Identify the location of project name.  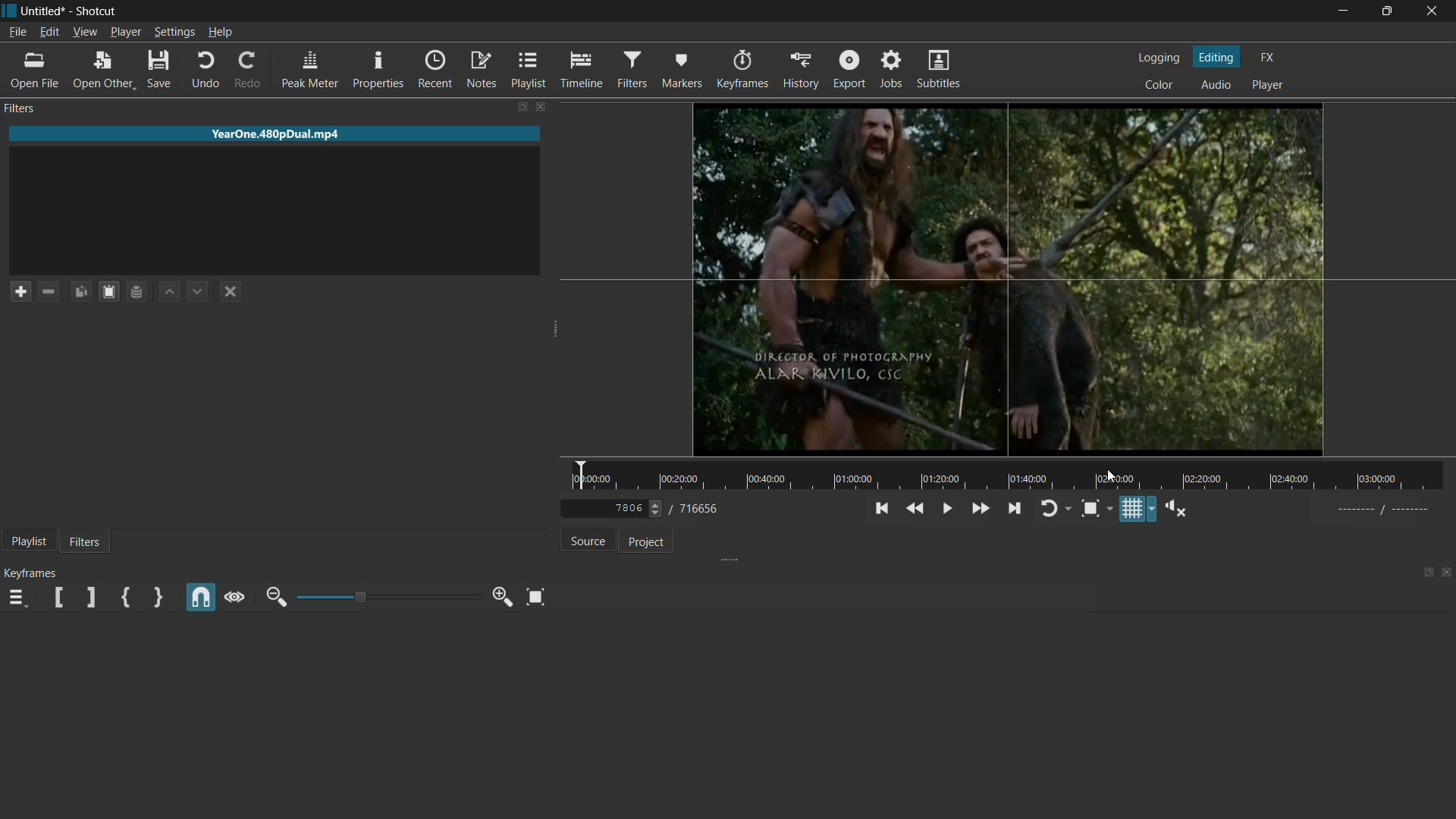
(44, 11).